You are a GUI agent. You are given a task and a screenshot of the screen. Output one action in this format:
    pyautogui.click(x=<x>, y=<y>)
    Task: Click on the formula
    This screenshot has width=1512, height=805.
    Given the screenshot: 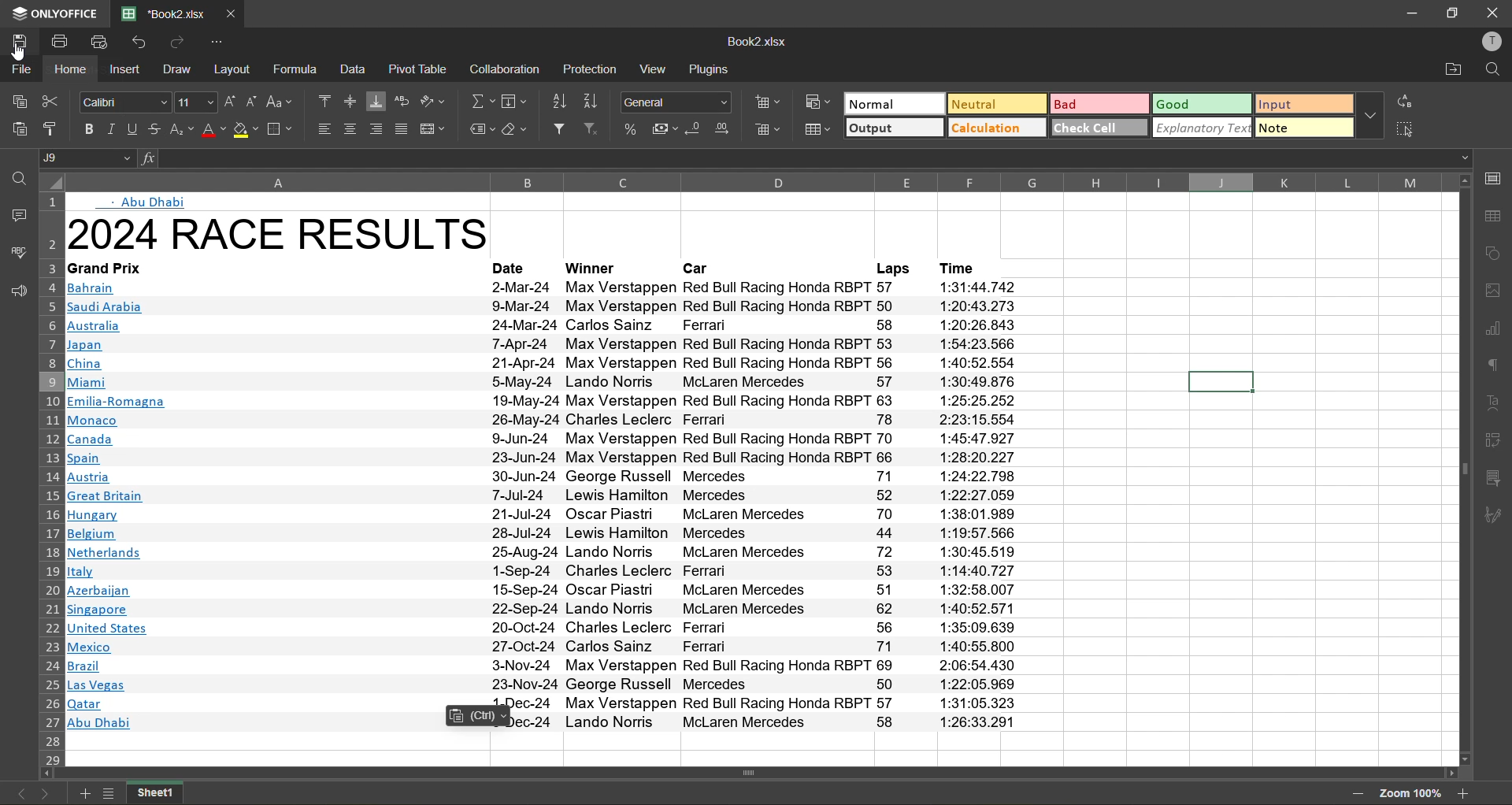 What is the action you would take?
    pyautogui.click(x=299, y=69)
    